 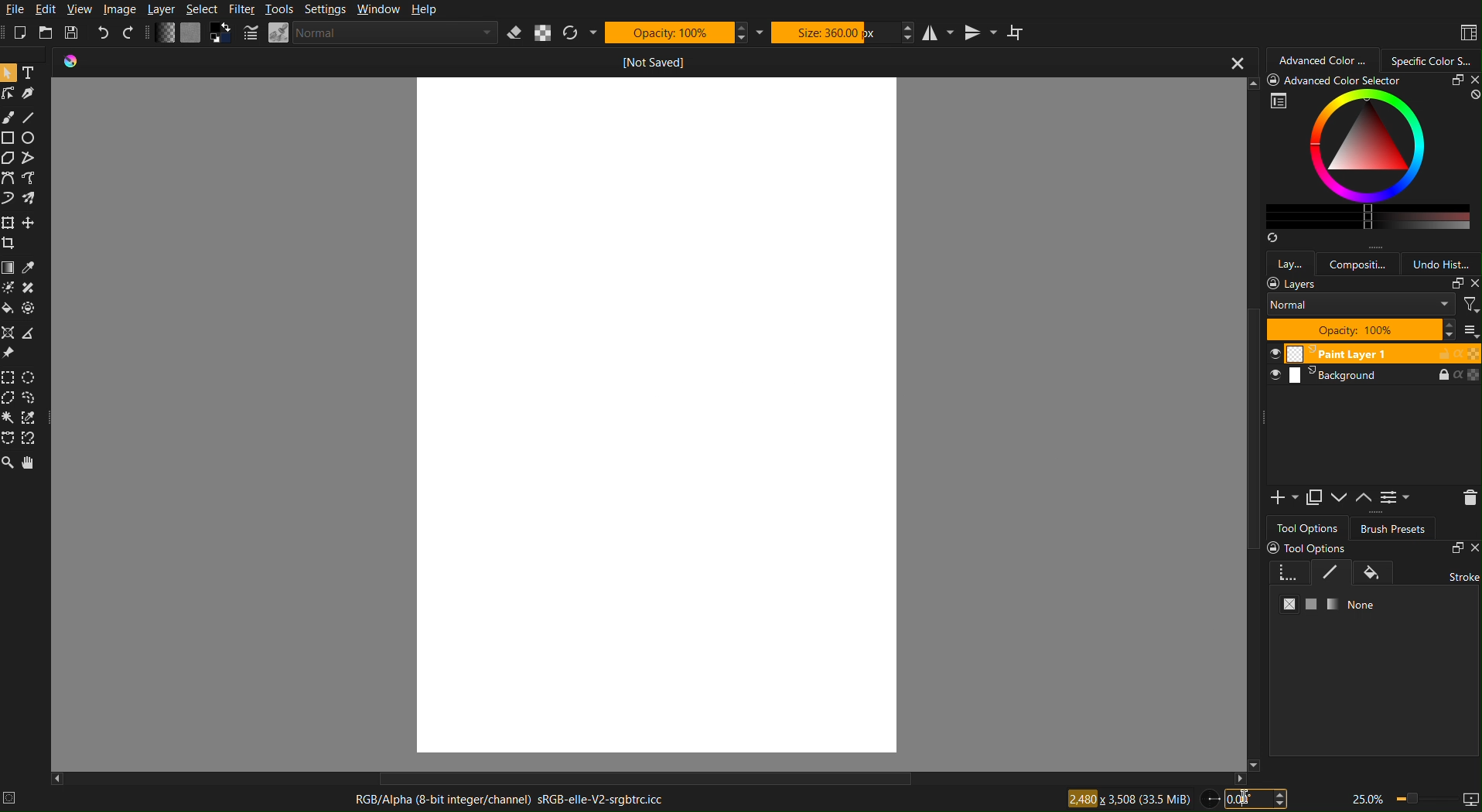 What do you see at coordinates (975, 33) in the screenshot?
I see `Vertical Mirror` at bounding box center [975, 33].